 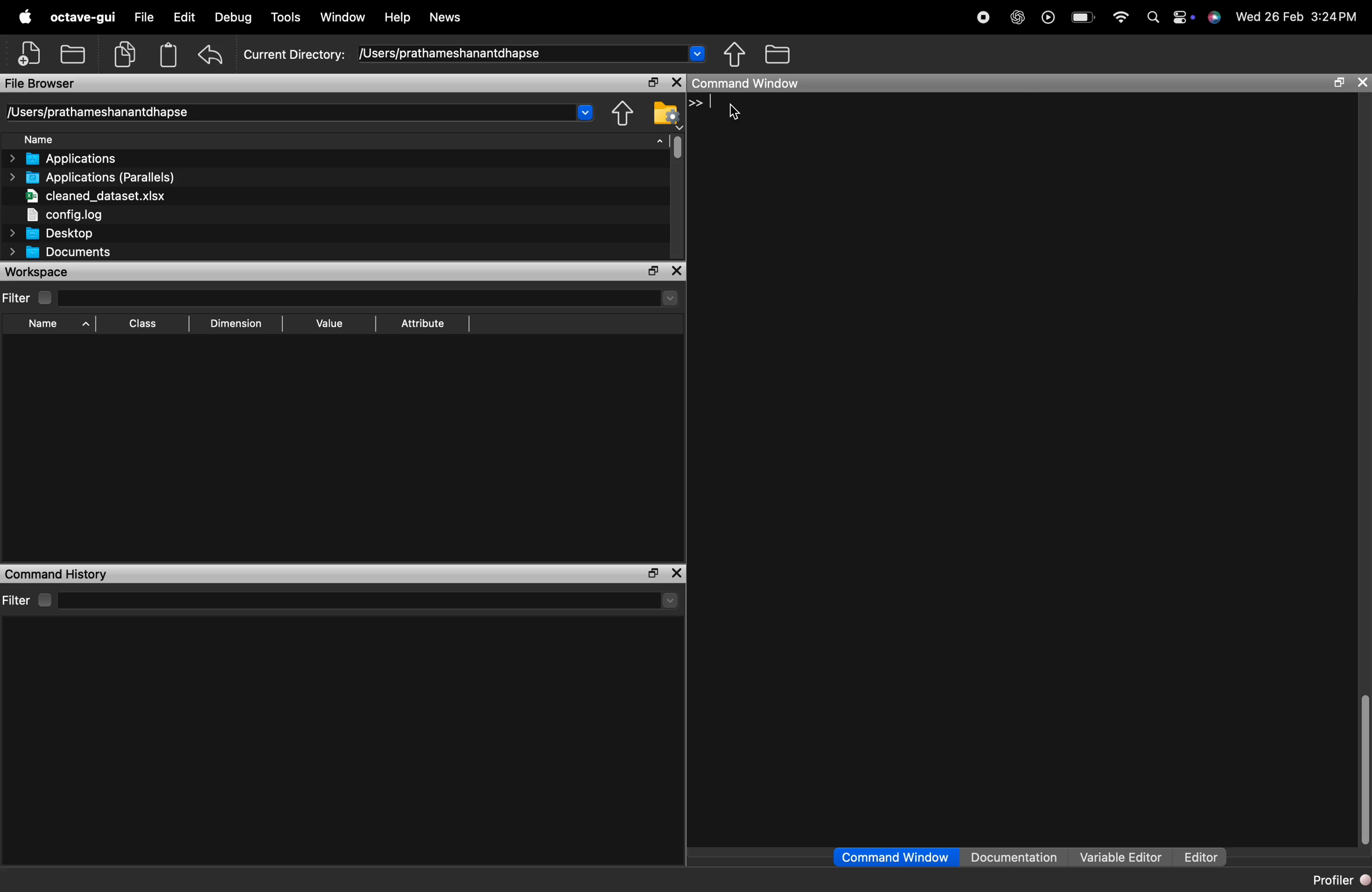 I want to click on Directory settings, so click(x=666, y=112).